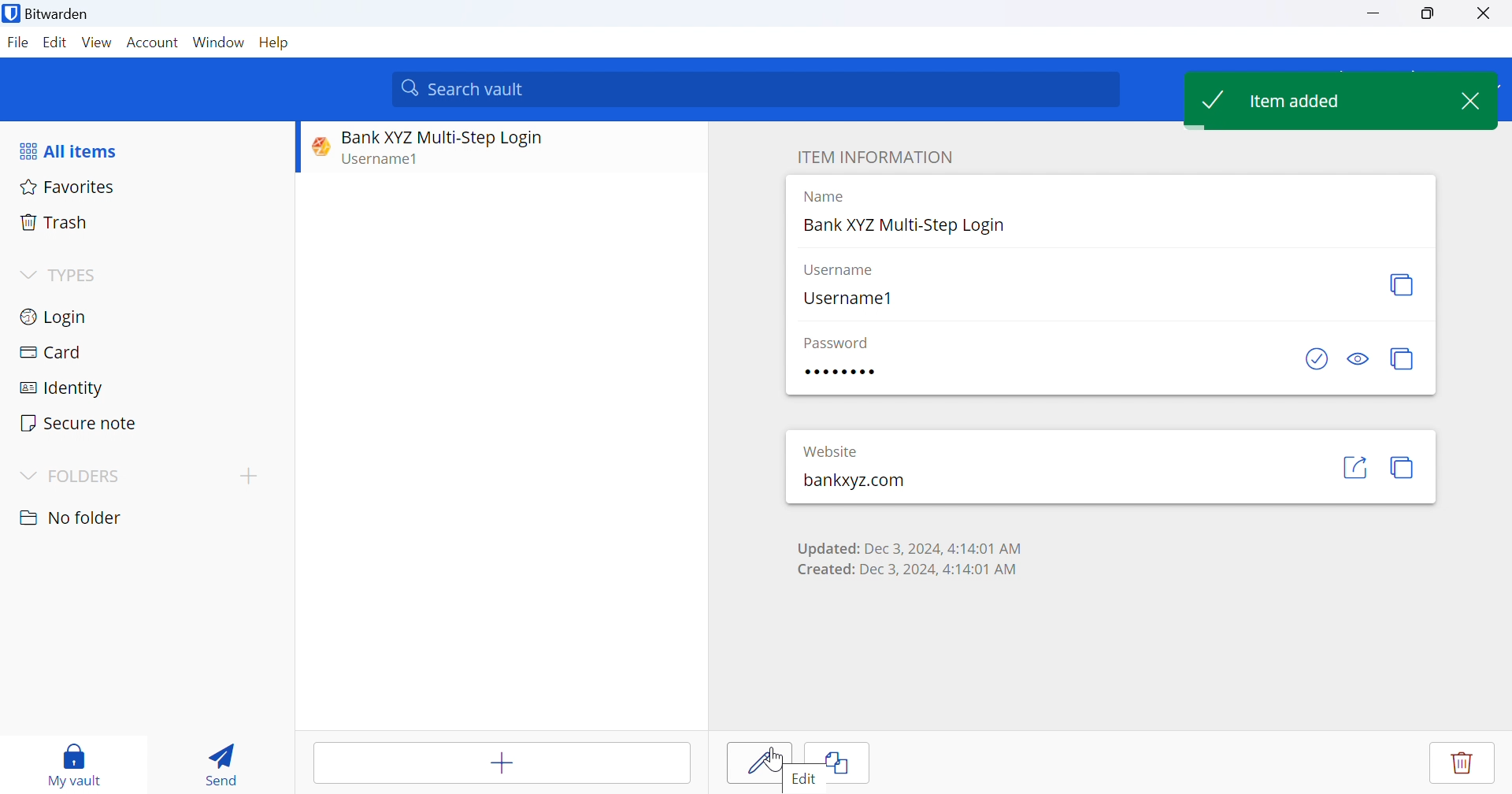 This screenshot has width=1512, height=794. What do you see at coordinates (906, 545) in the screenshot?
I see `Updated: Dec 3, 2024, 4:14:01 AM` at bounding box center [906, 545].